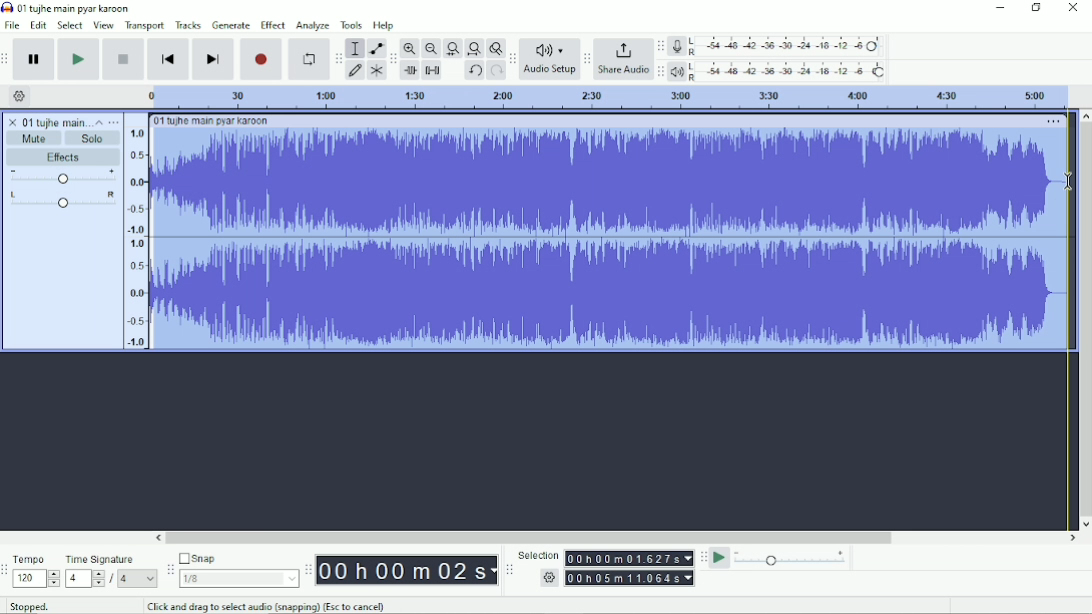 This screenshot has width=1092, height=614. What do you see at coordinates (412, 71) in the screenshot?
I see `Trim audio outside selection` at bounding box center [412, 71].